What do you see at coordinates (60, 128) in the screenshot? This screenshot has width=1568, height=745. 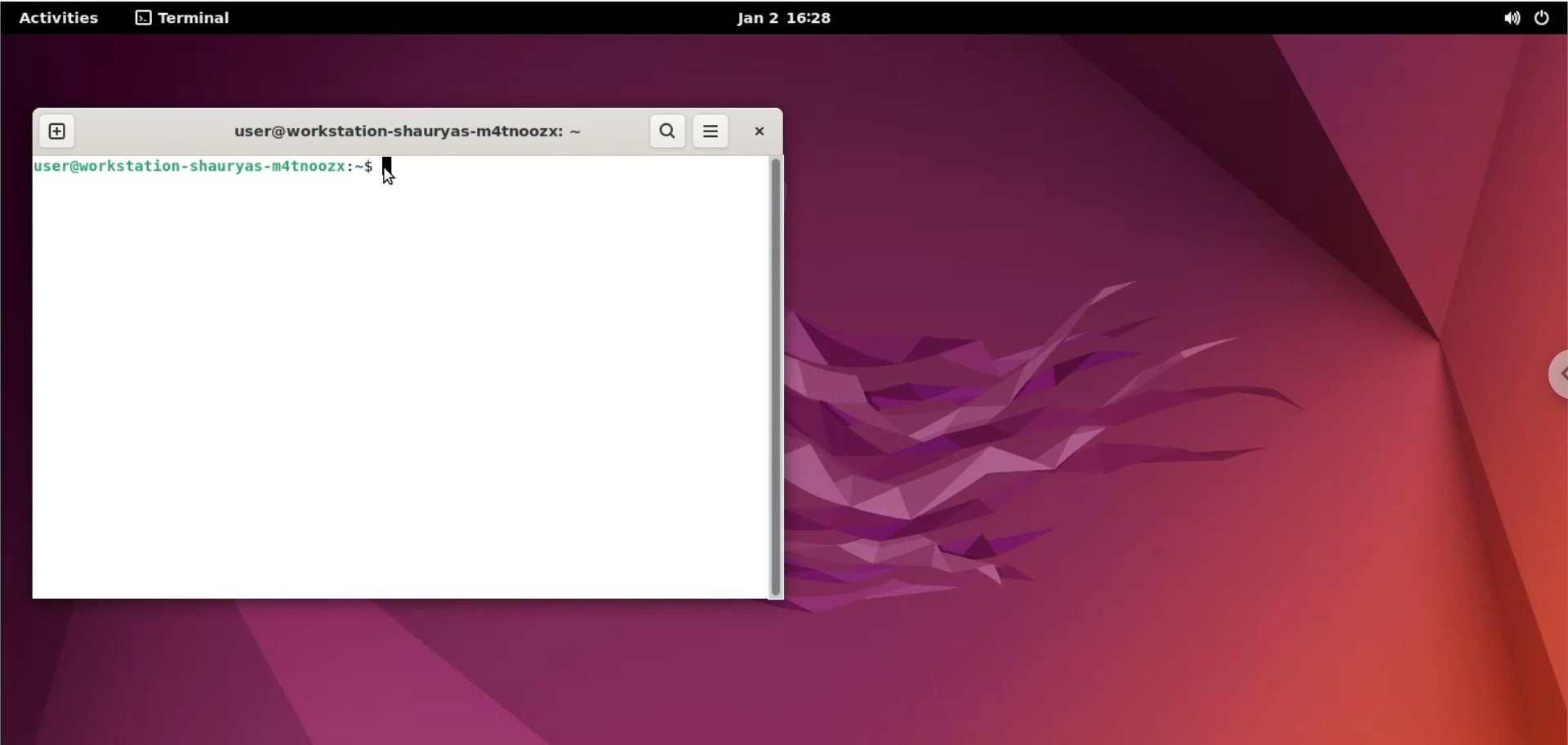 I see `new tab` at bounding box center [60, 128].